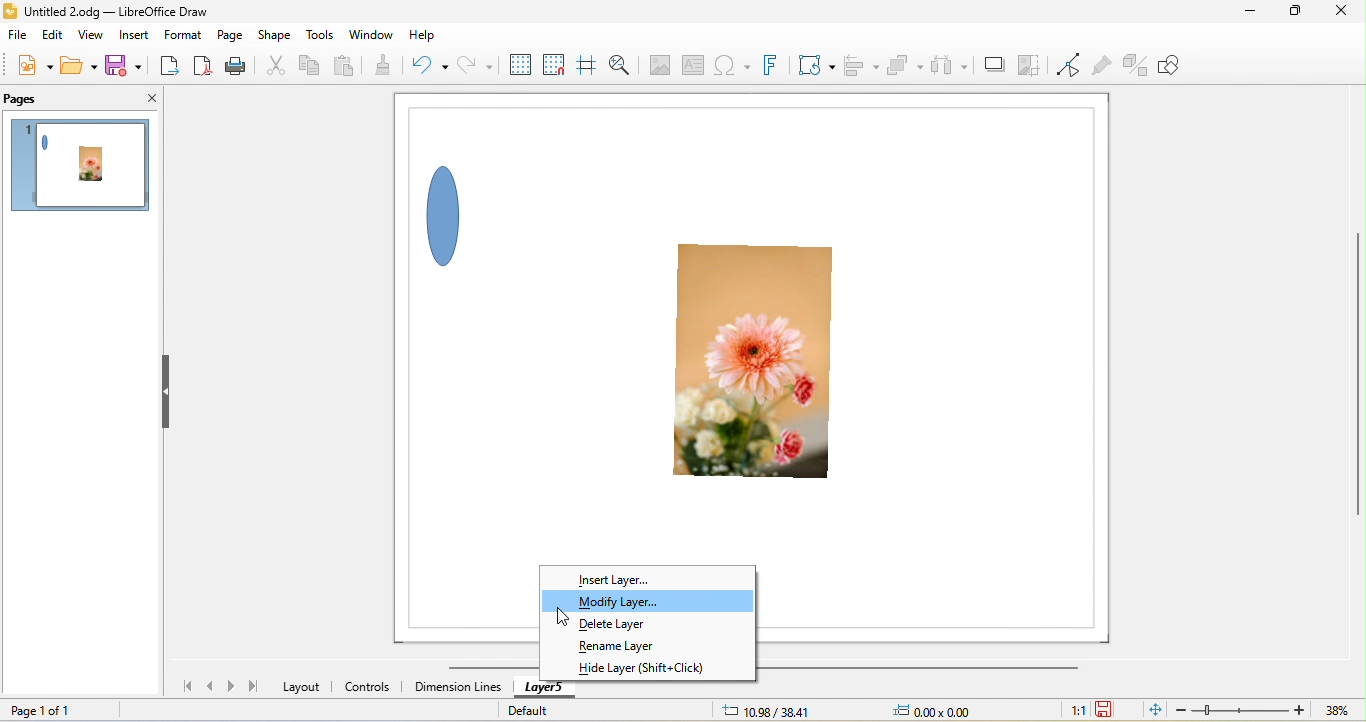  I want to click on export direct as pdf, so click(207, 67).